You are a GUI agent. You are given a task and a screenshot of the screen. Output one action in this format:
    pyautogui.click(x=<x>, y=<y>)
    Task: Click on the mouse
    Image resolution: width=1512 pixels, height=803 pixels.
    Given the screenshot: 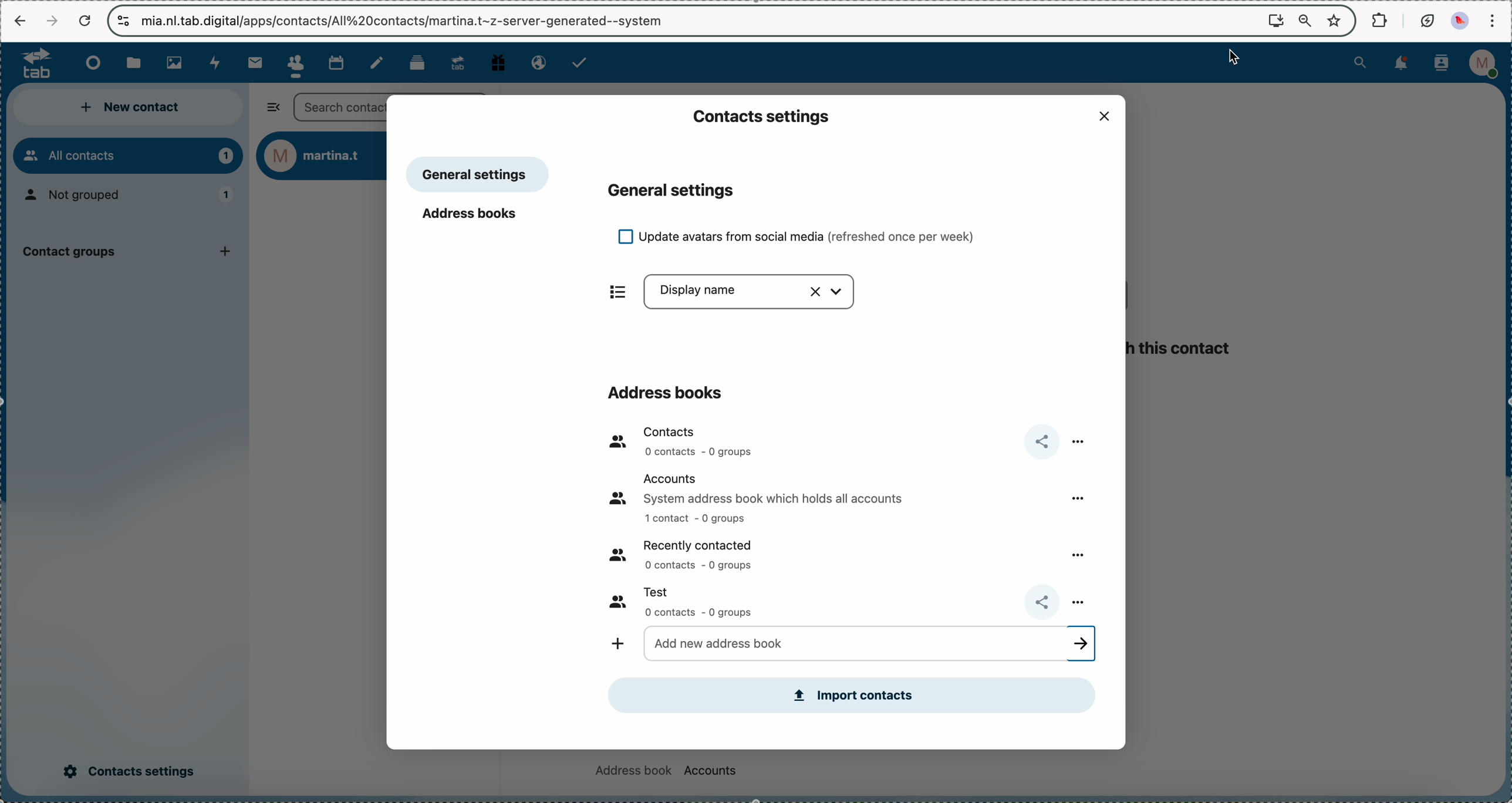 What is the action you would take?
    pyautogui.click(x=1232, y=59)
    